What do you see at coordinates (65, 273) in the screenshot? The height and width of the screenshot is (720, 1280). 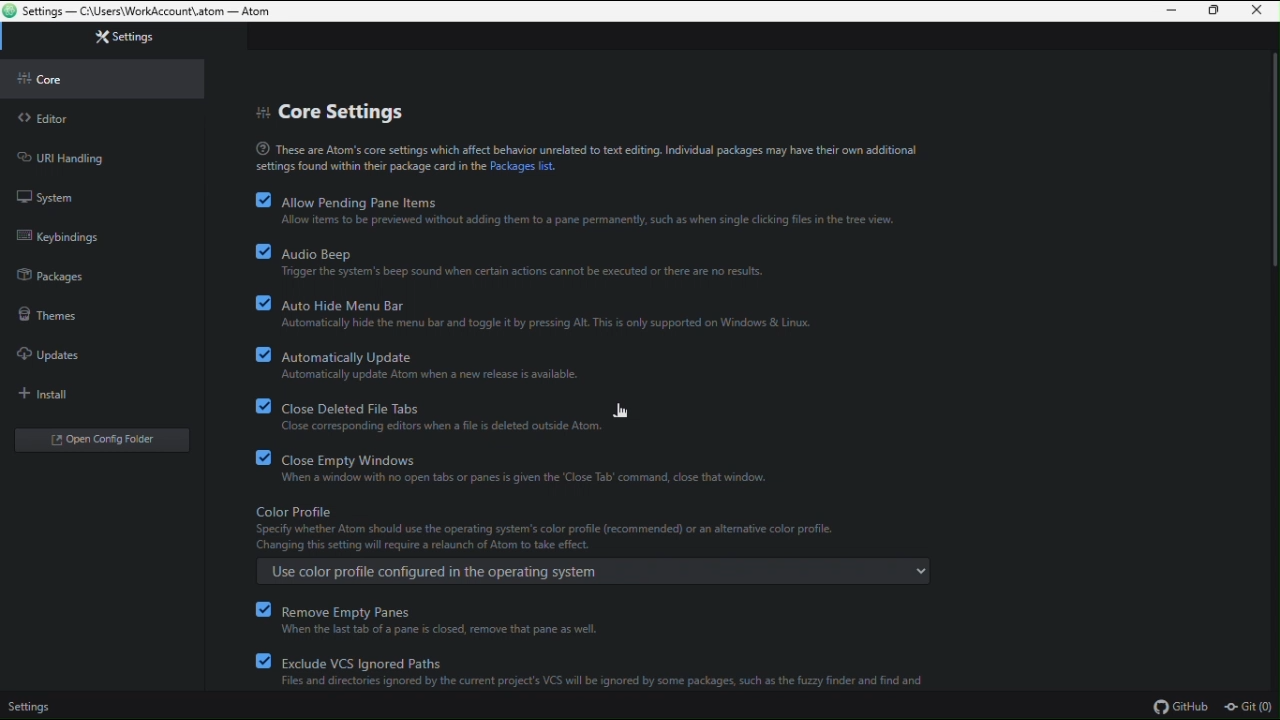 I see `Packages` at bounding box center [65, 273].